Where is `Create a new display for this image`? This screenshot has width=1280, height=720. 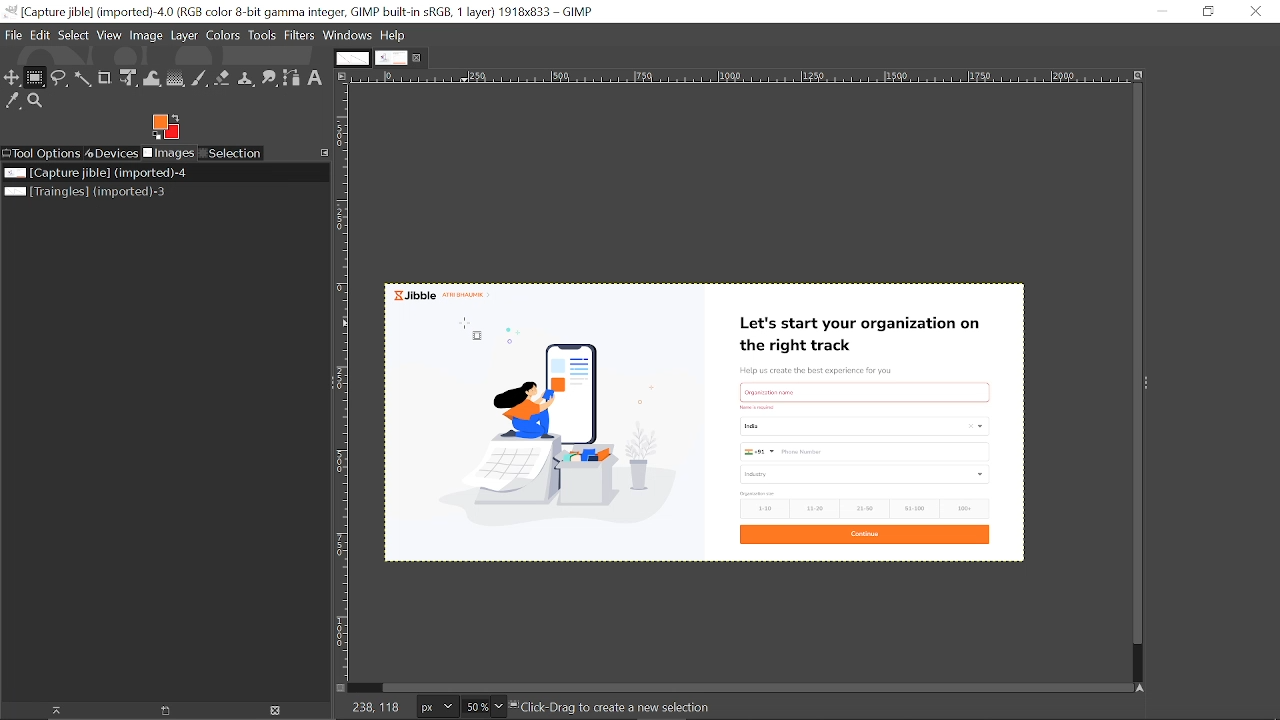 Create a new display for this image is located at coordinates (172, 710).